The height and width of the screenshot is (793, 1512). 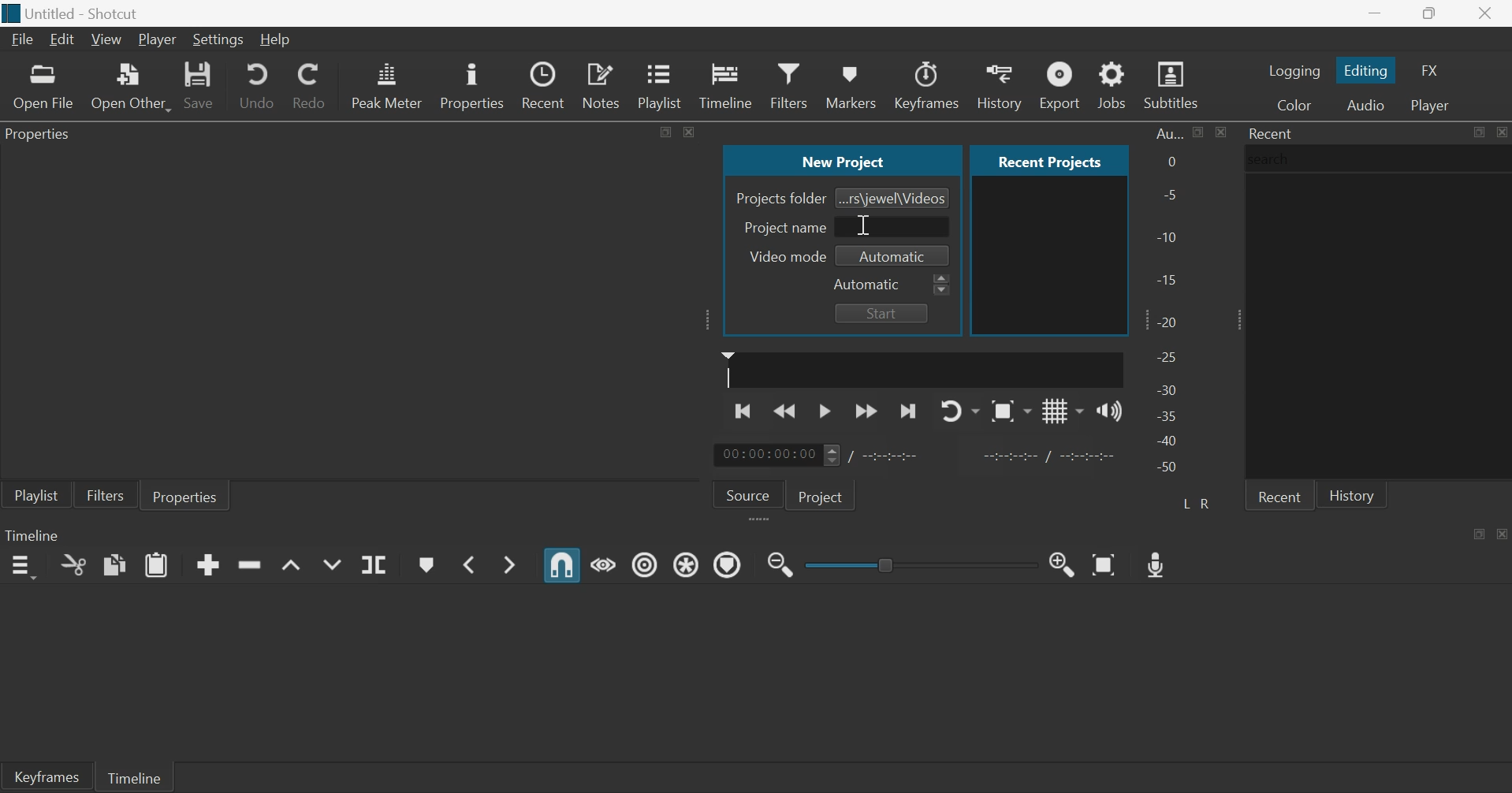 I want to click on Maximize, so click(x=1199, y=132).